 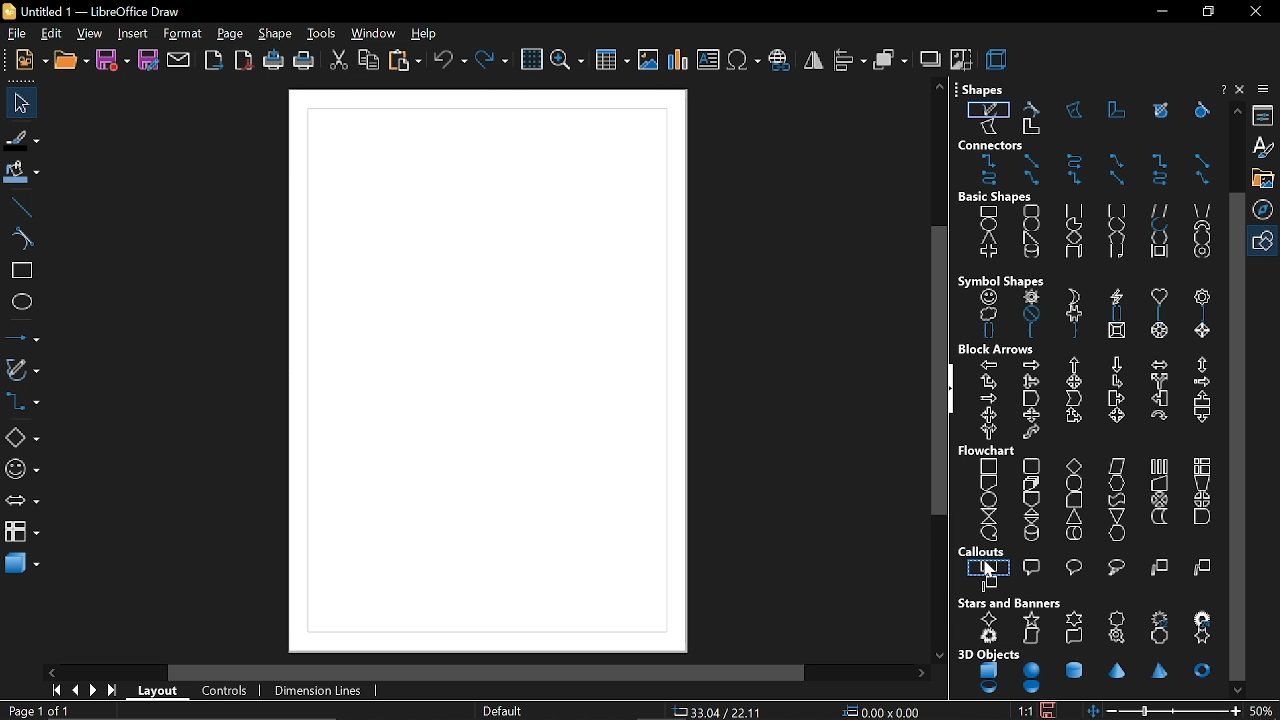 I want to click on close, so click(x=1241, y=90).